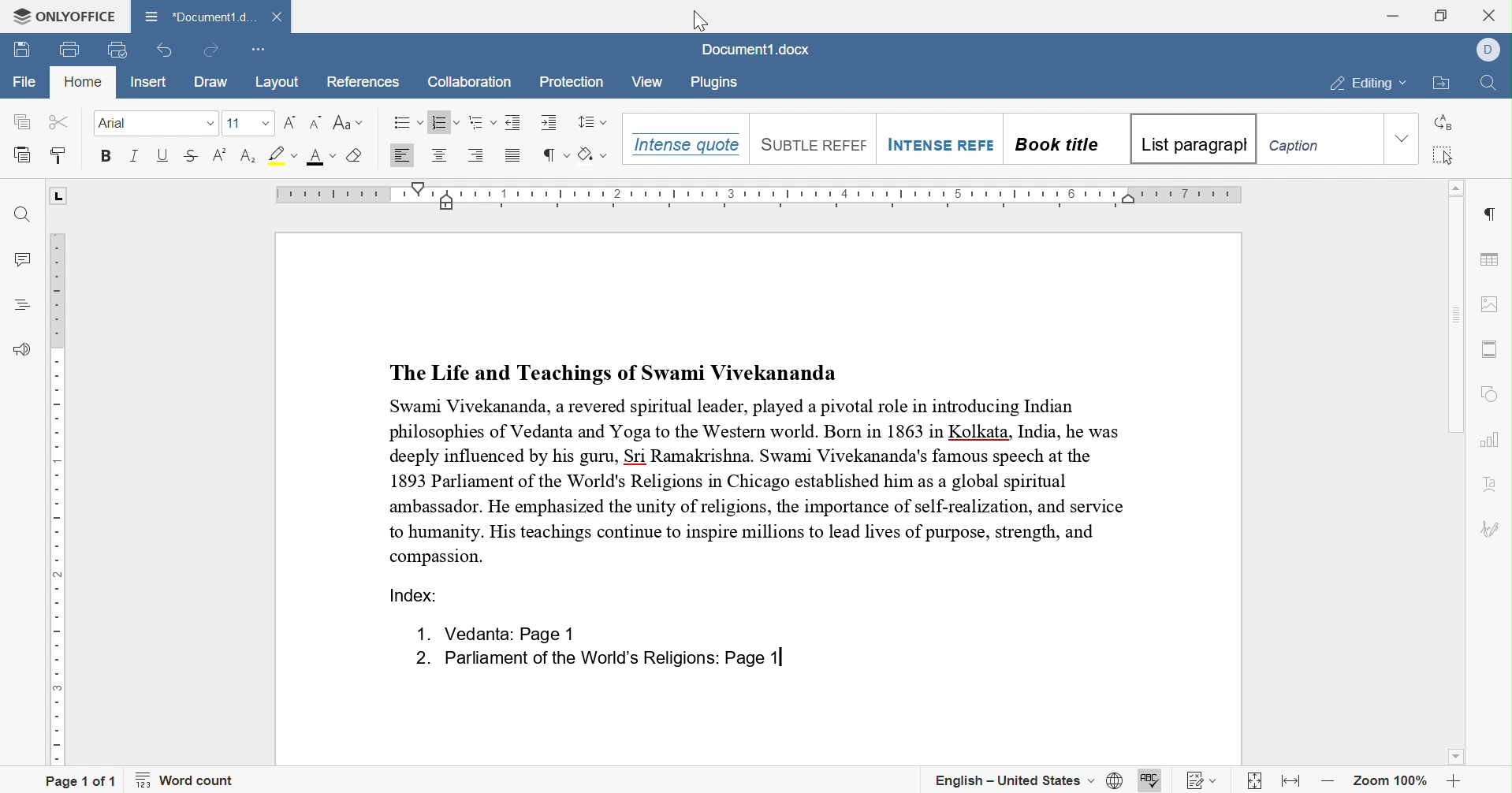 This screenshot has width=1512, height=793. I want to click on font color, so click(322, 156).